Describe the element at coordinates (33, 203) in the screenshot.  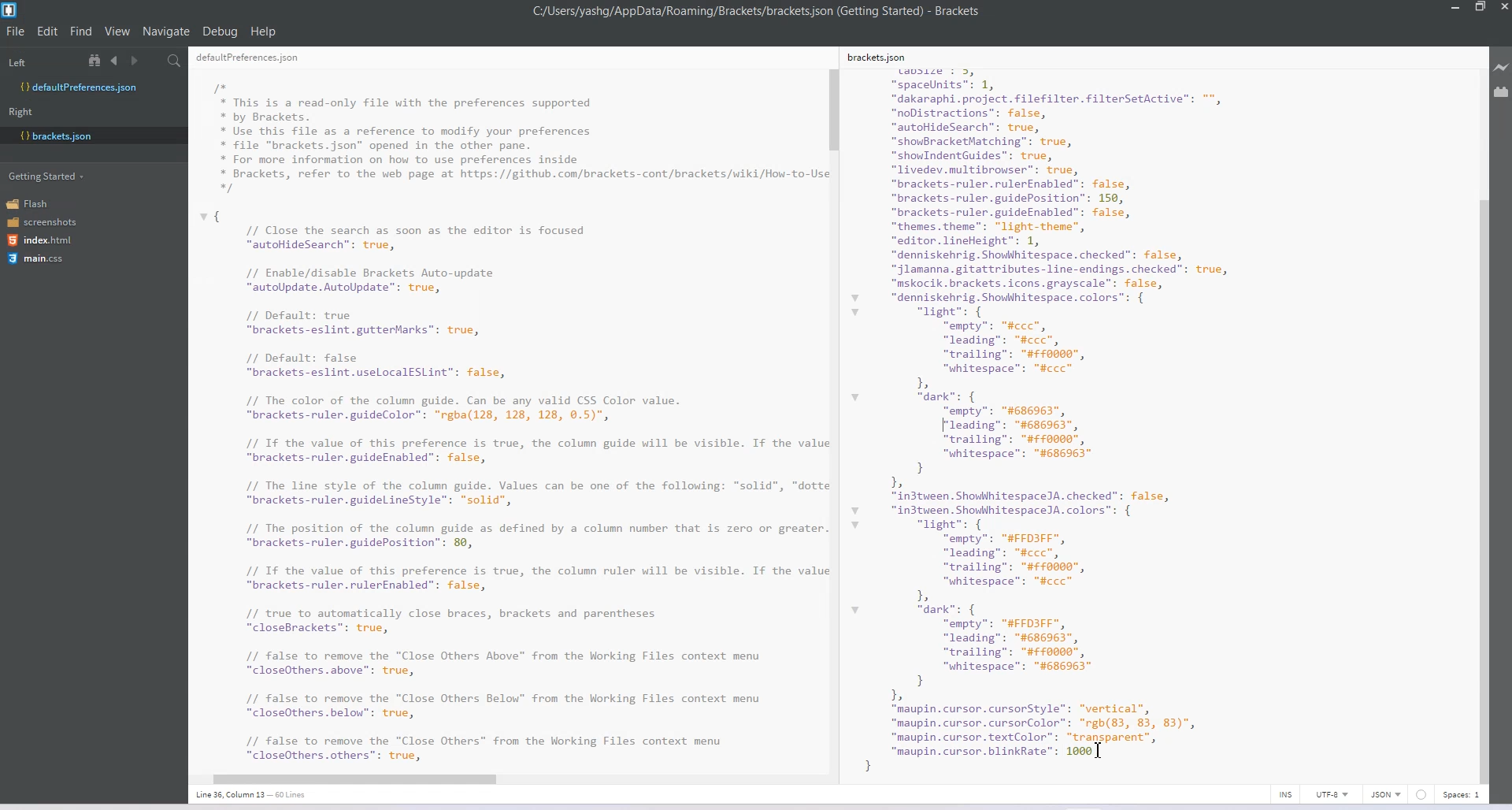
I see `Flash` at that location.